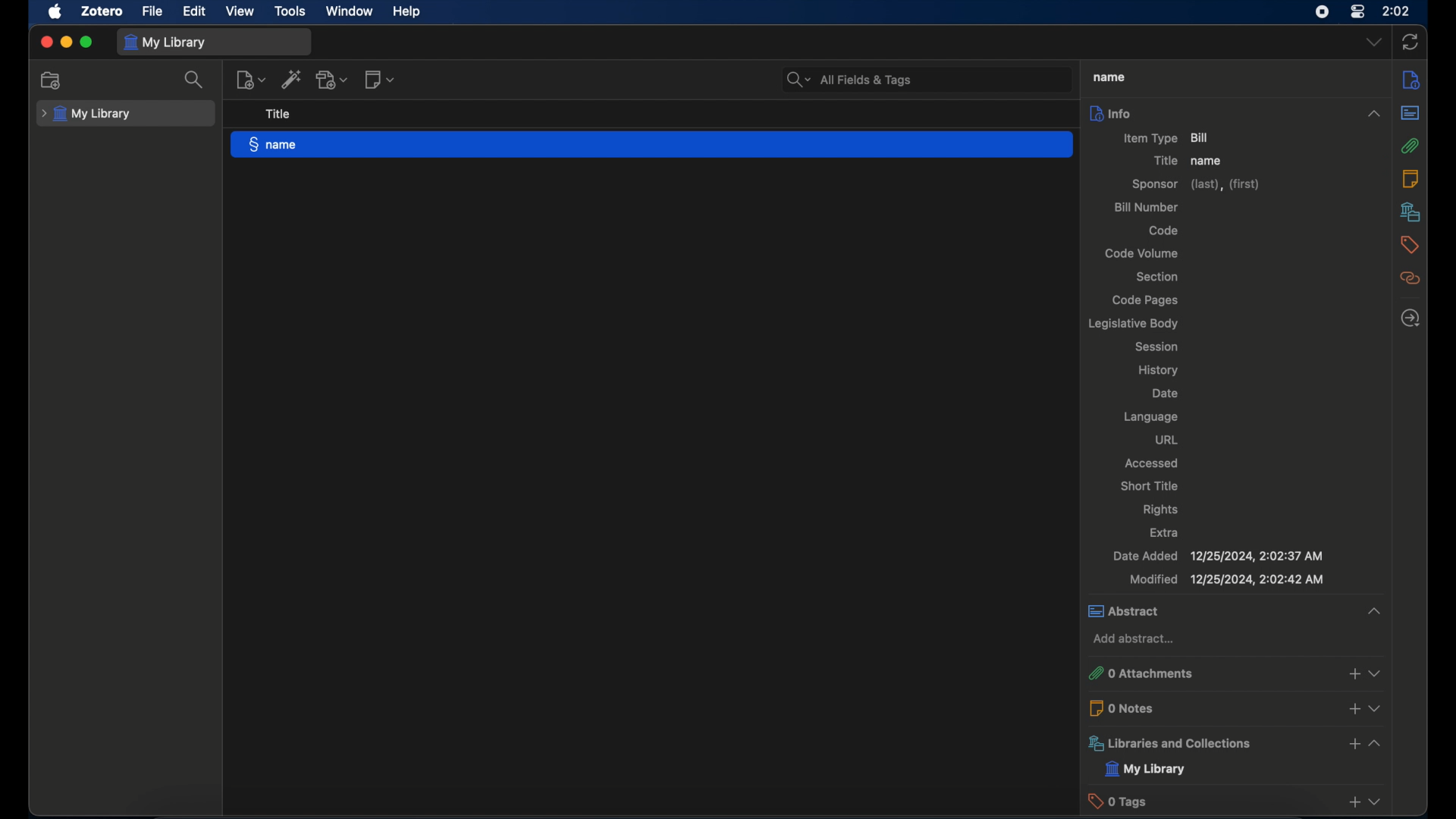 Image resolution: width=1456 pixels, height=819 pixels. I want to click on maximize, so click(87, 42).